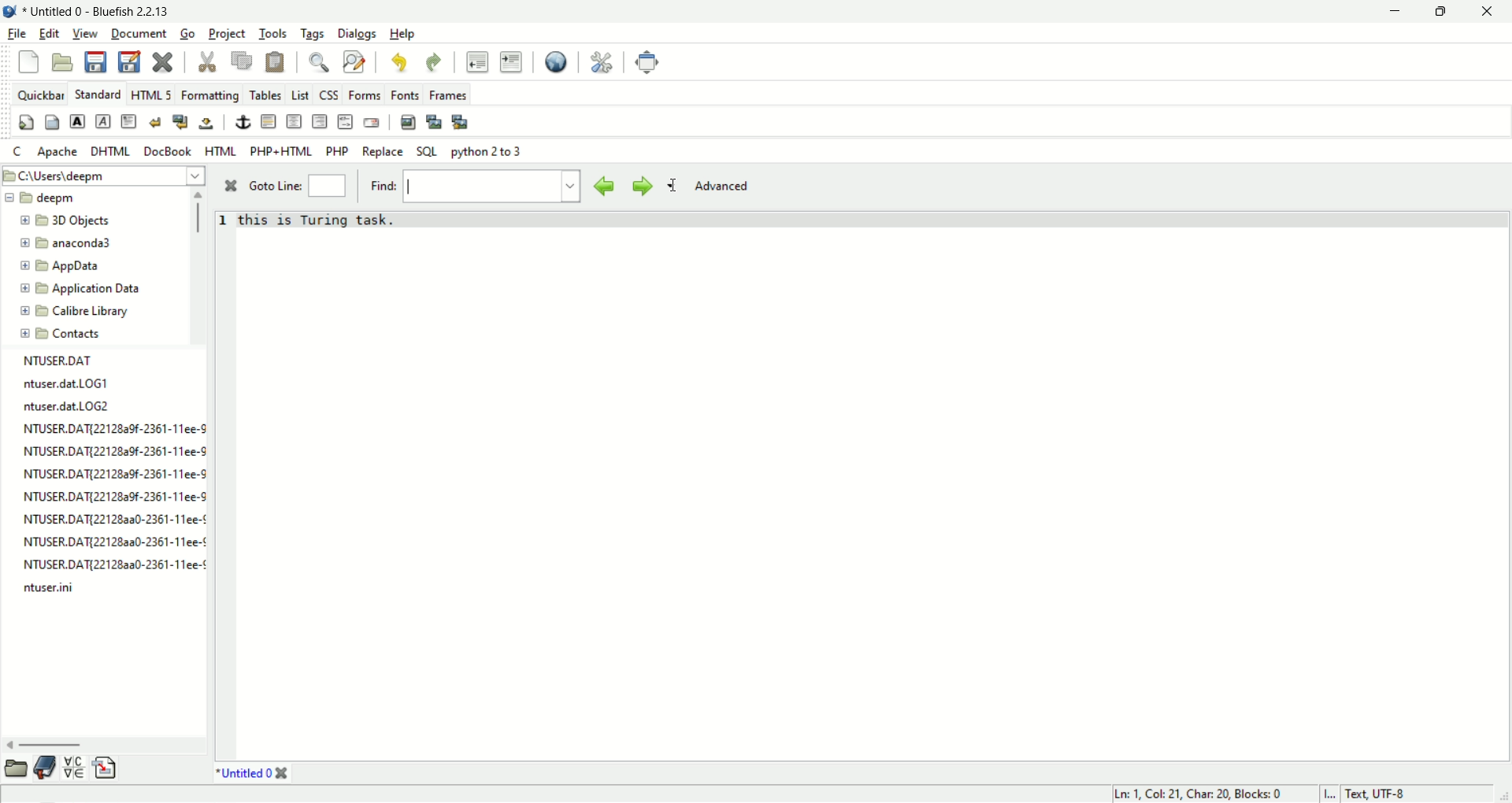  What do you see at coordinates (207, 124) in the screenshot?
I see `non breaking space` at bounding box center [207, 124].